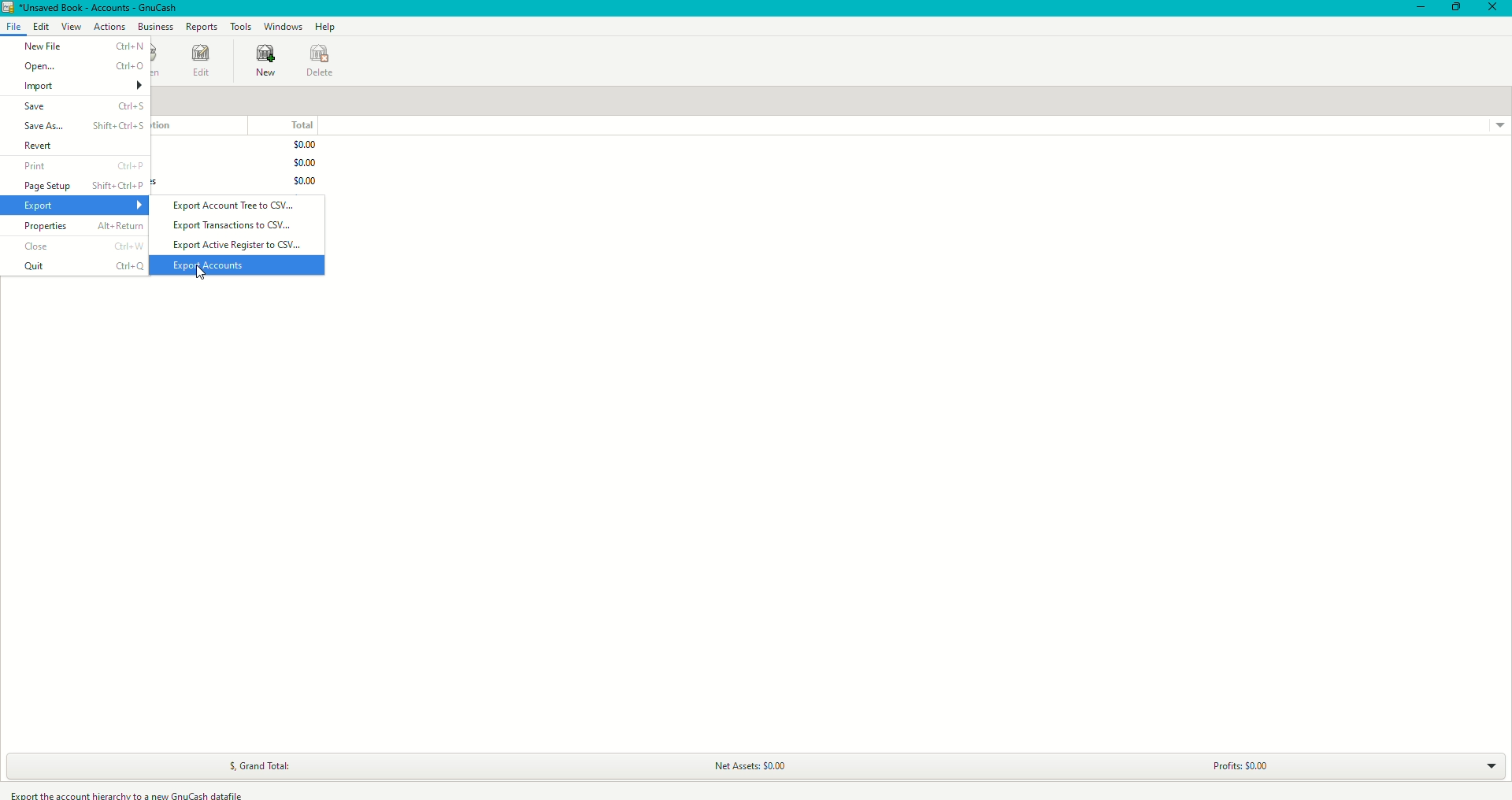  Describe the element at coordinates (13, 28) in the screenshot. I see `File` at that location.